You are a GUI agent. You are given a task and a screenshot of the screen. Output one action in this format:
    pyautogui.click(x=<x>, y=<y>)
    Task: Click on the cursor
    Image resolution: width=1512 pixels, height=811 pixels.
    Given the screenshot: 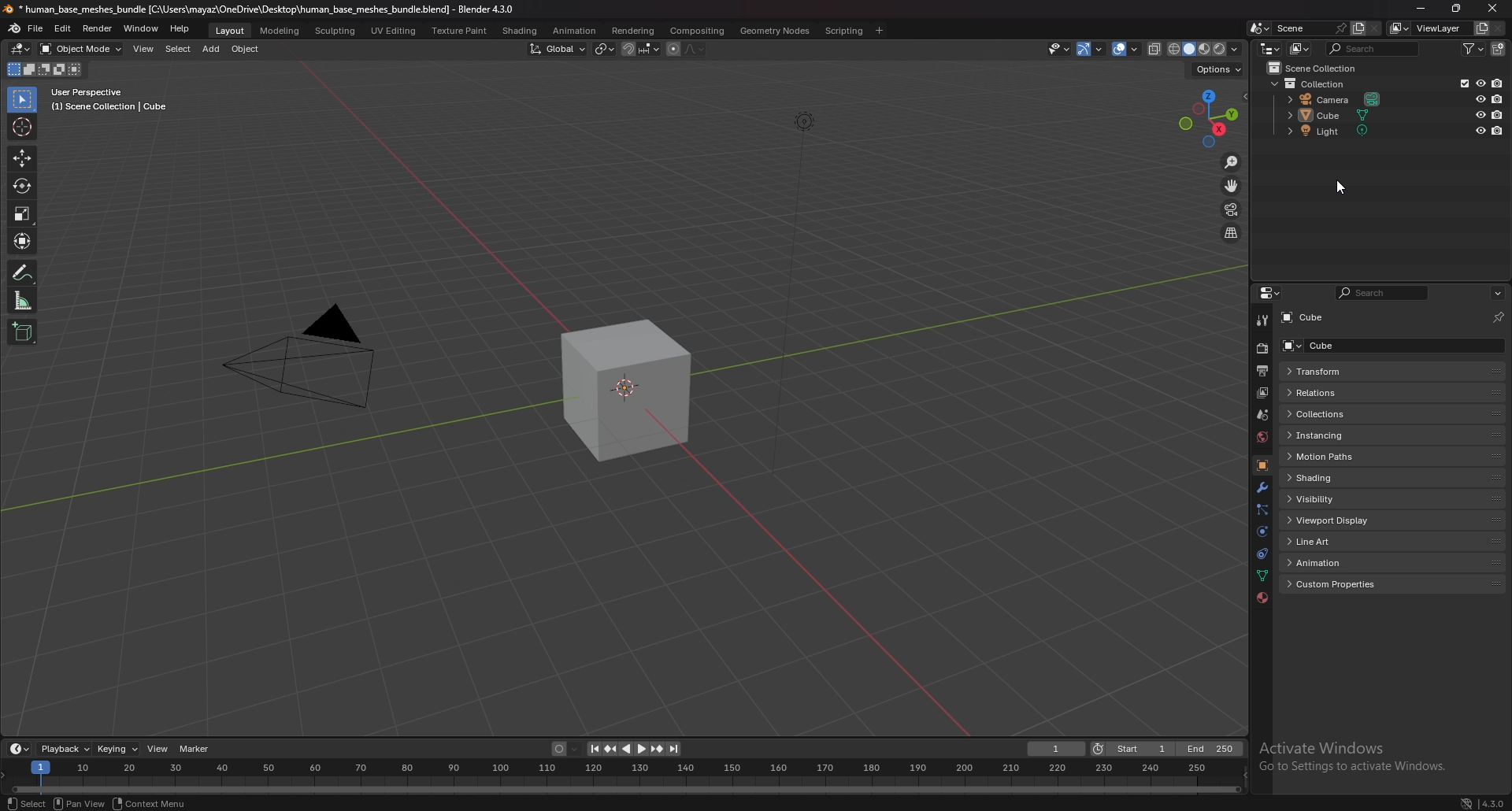 What is the action you would take?
    pyautogui.click(x=22, y=127)
    